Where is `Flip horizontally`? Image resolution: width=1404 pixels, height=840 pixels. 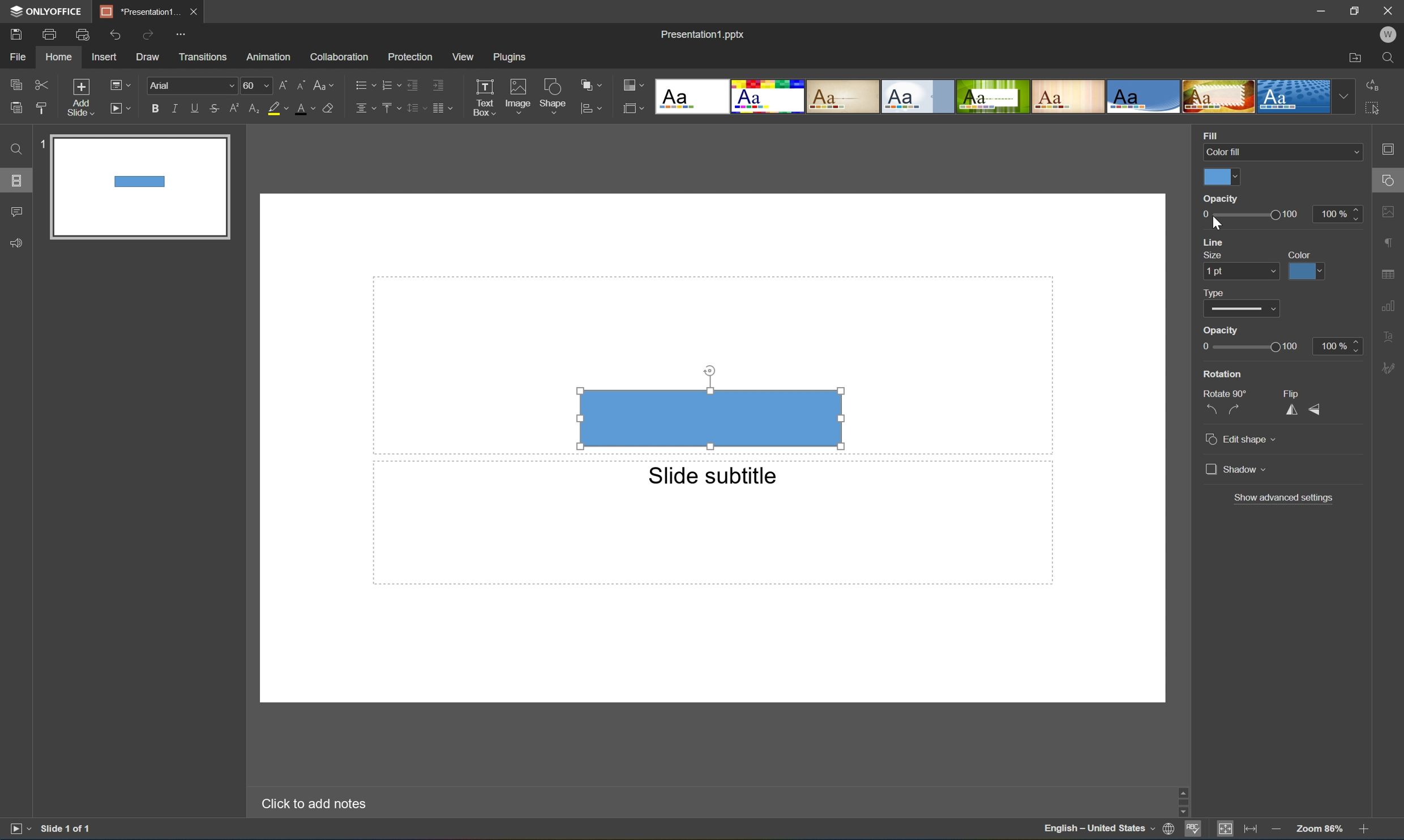 Flip horizontally is located at coordinates (1291, 408).